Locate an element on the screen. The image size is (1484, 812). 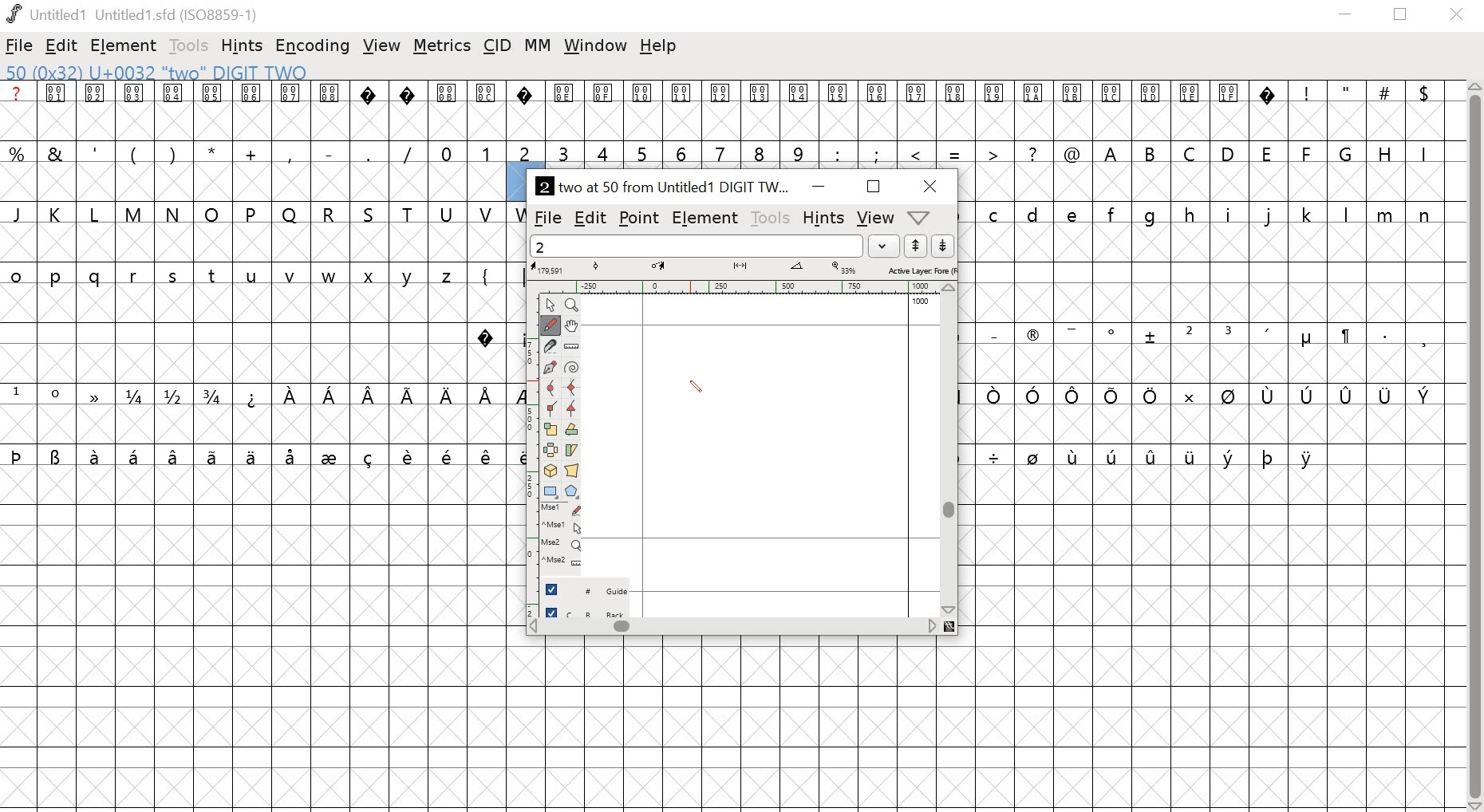
view is located at coordinates (874, 218).